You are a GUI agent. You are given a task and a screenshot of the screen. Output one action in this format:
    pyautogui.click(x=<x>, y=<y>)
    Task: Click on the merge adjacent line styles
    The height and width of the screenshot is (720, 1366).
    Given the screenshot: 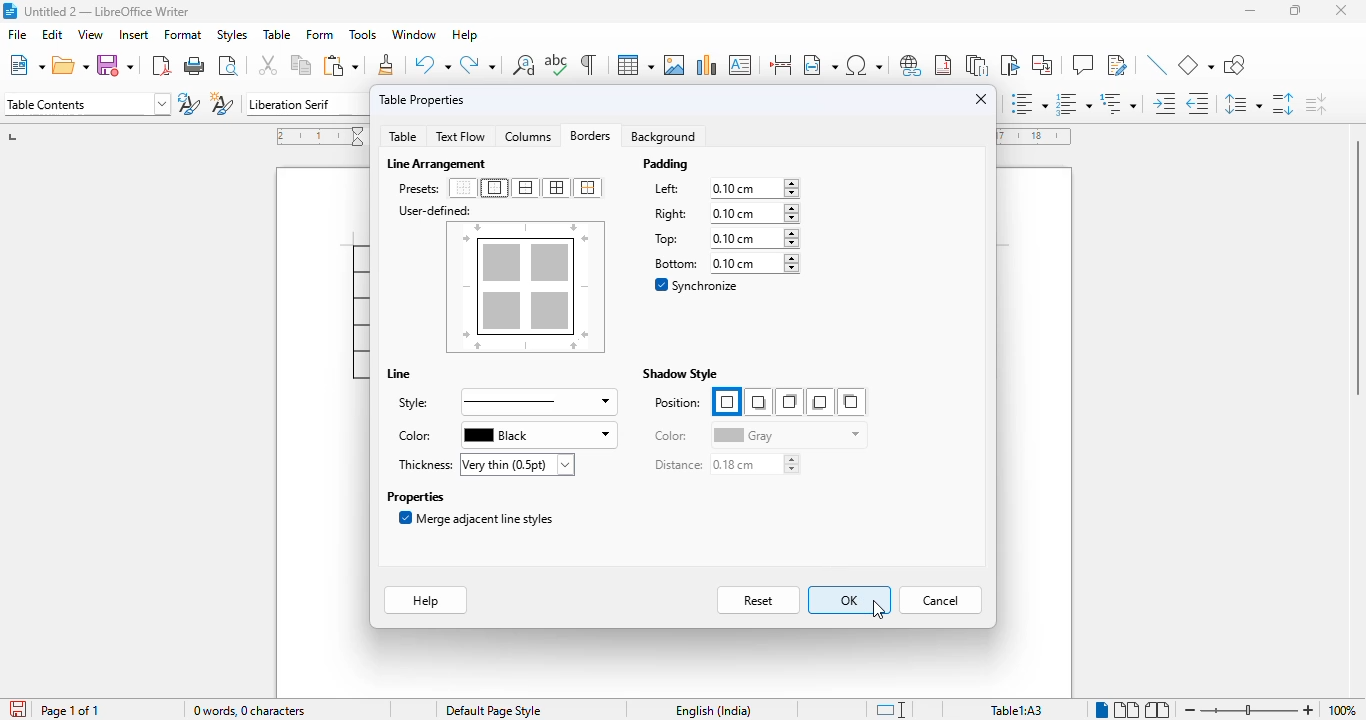 What is the action you would take?
    pyautogui.click(x=477, y=518)
    